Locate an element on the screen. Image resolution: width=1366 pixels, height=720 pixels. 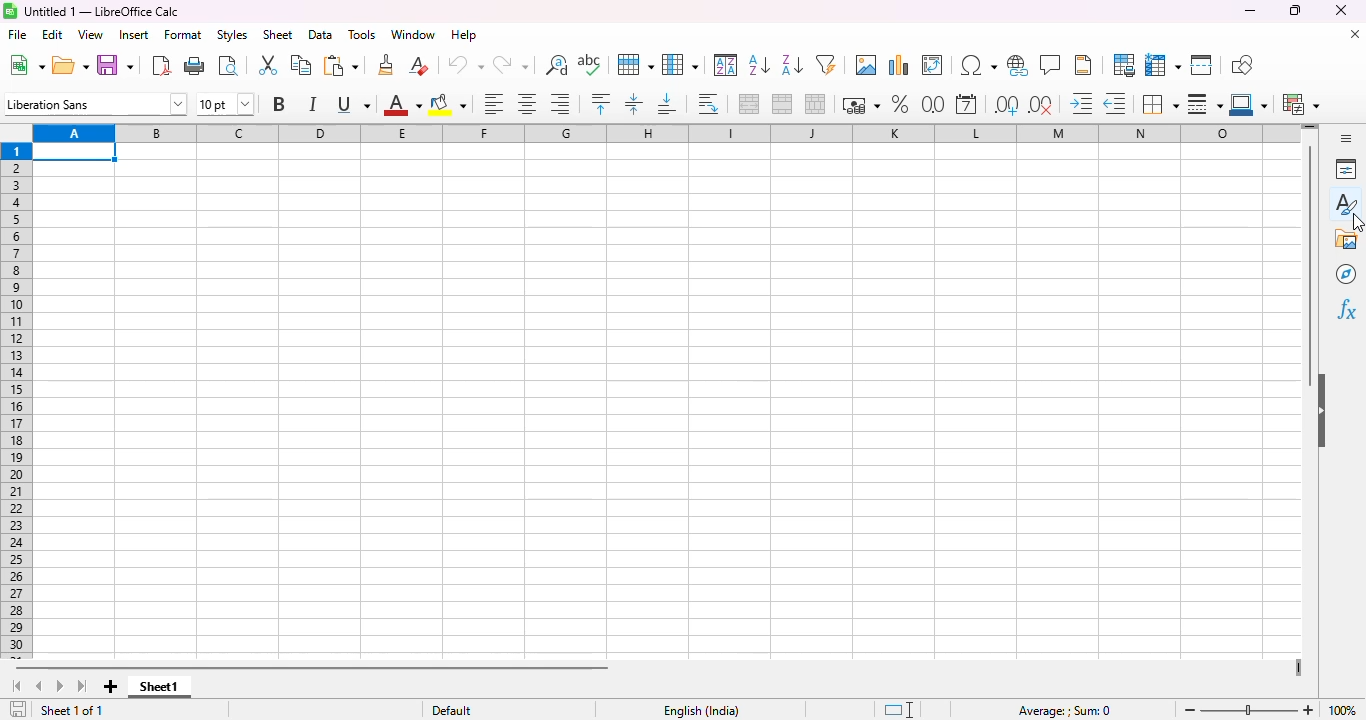
cut is located at coordinates (267, 65).